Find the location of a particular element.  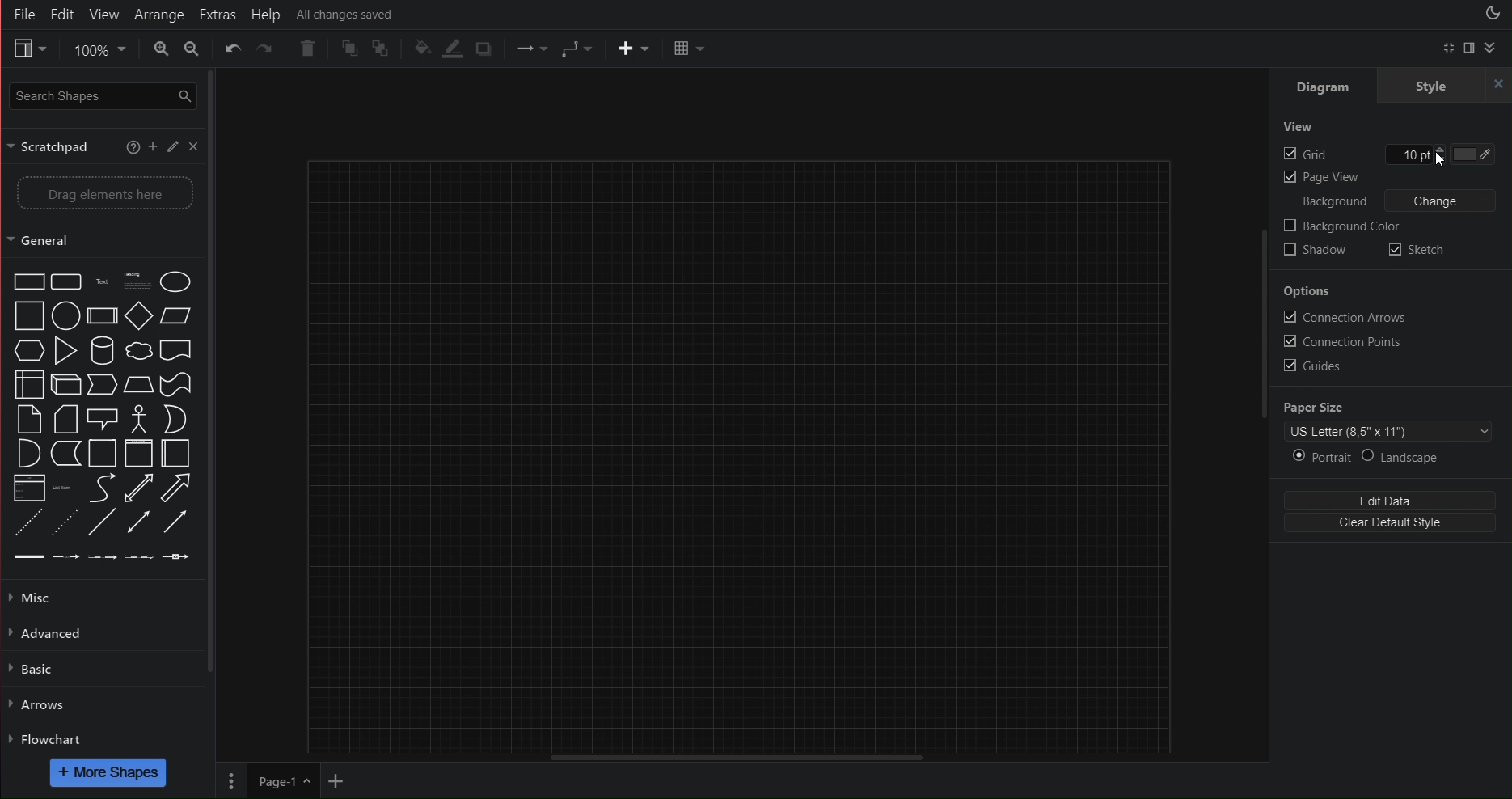

dotted line is located at coordinates (23, 518).